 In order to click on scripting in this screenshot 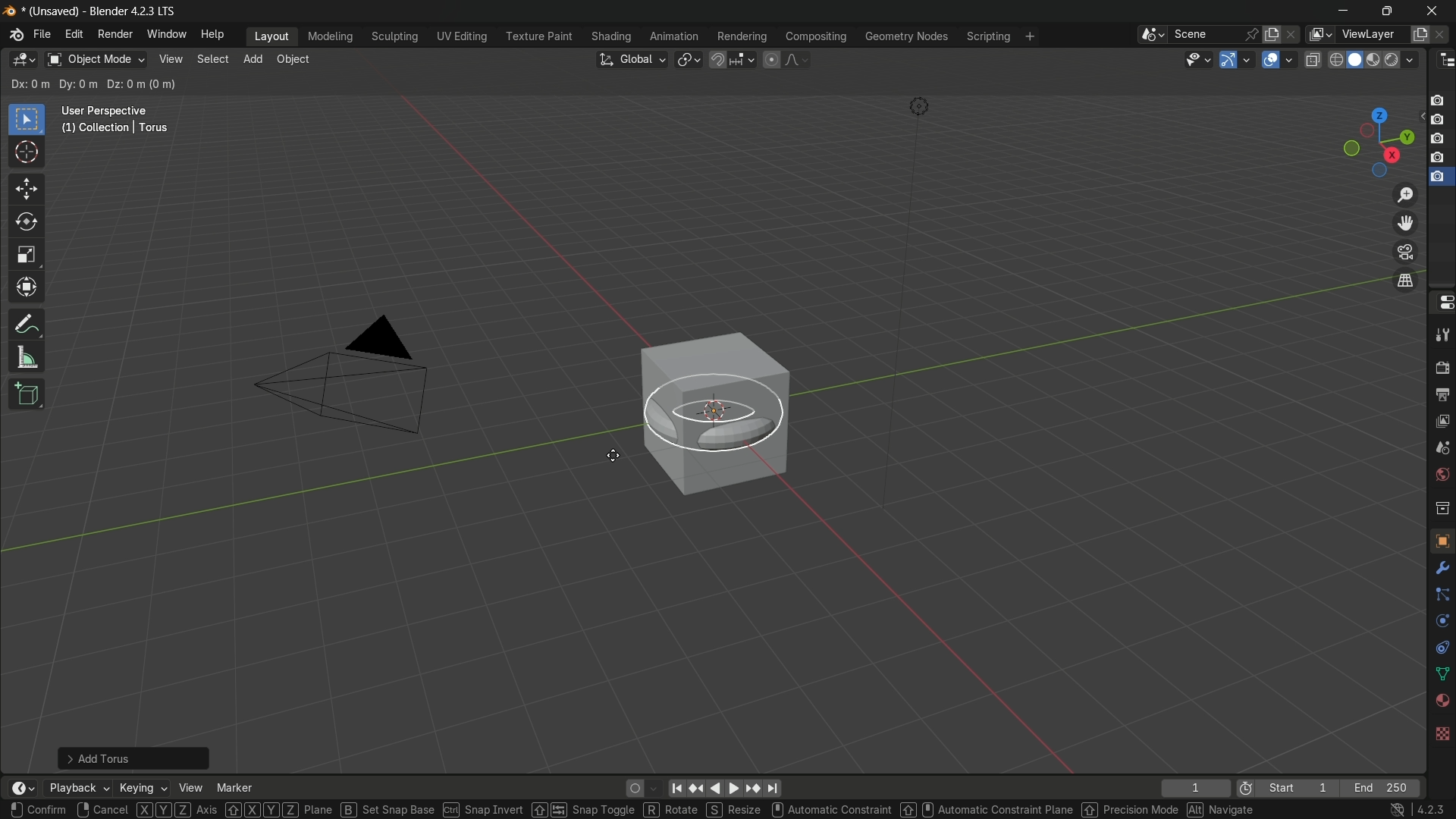, I will do `click(988, 37)`.